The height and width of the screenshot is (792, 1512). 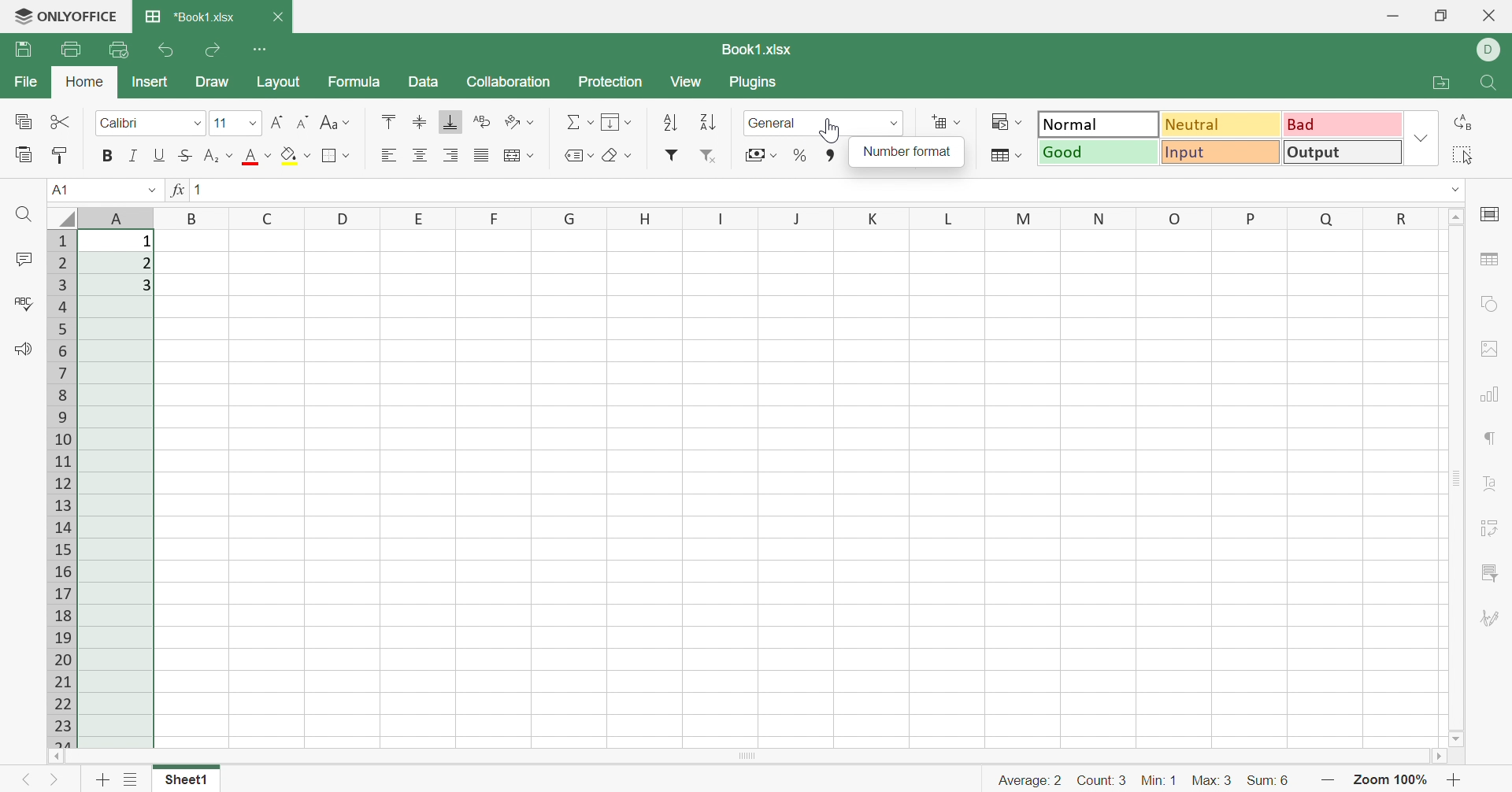 What do you see at coordinates (1099, 124) in the screenshot?
I see `Normal` at bounding box center [1099, 124].